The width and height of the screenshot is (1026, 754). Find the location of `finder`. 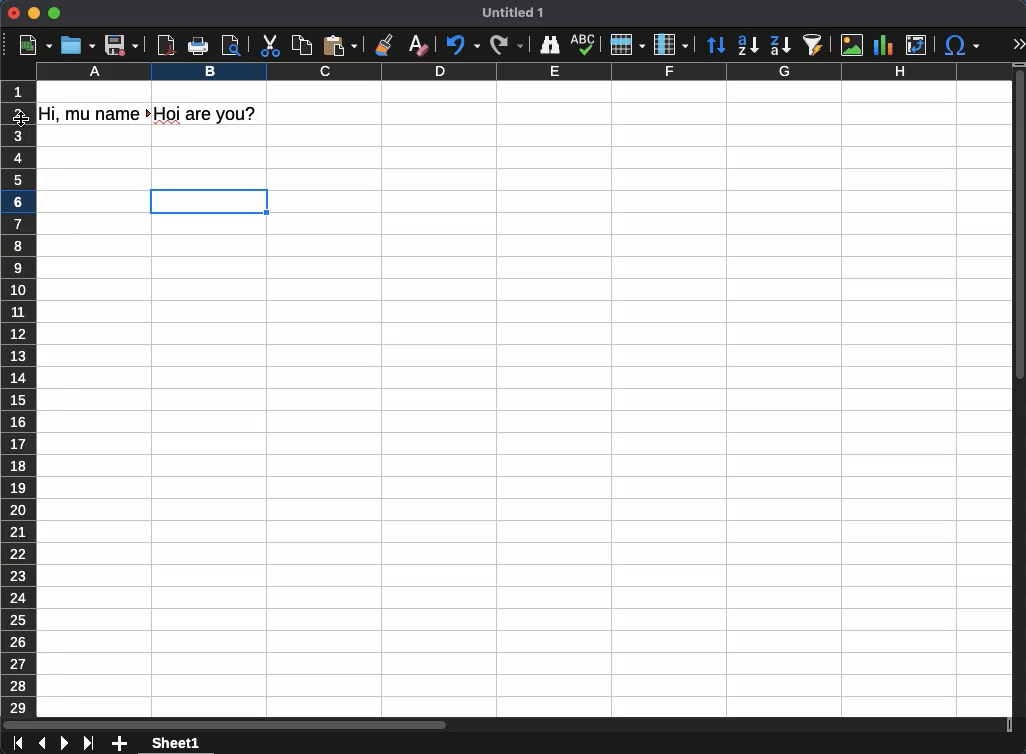

finder is located at coordinates (550, 46).